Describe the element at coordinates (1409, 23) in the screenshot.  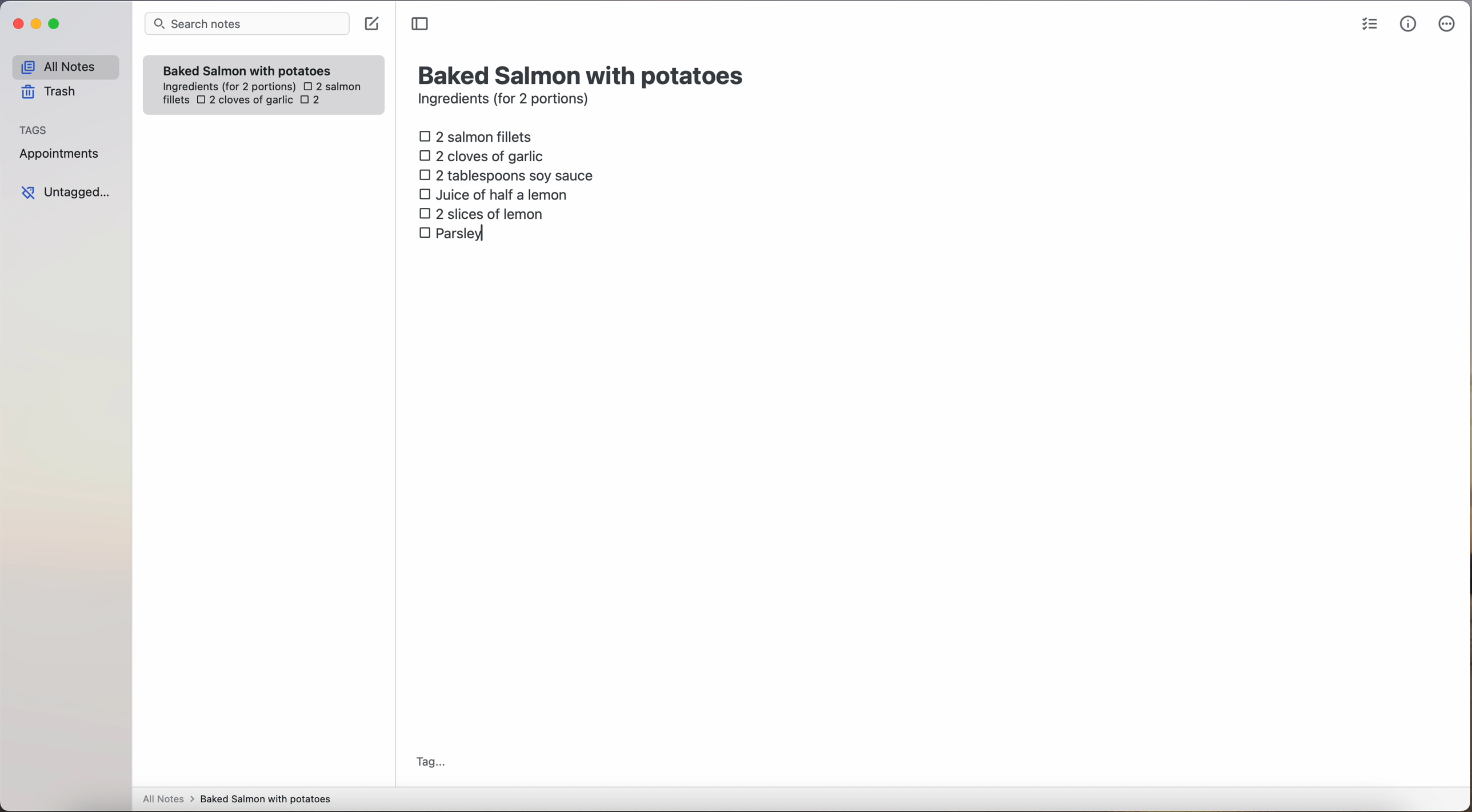
I see `metrics` at that location.